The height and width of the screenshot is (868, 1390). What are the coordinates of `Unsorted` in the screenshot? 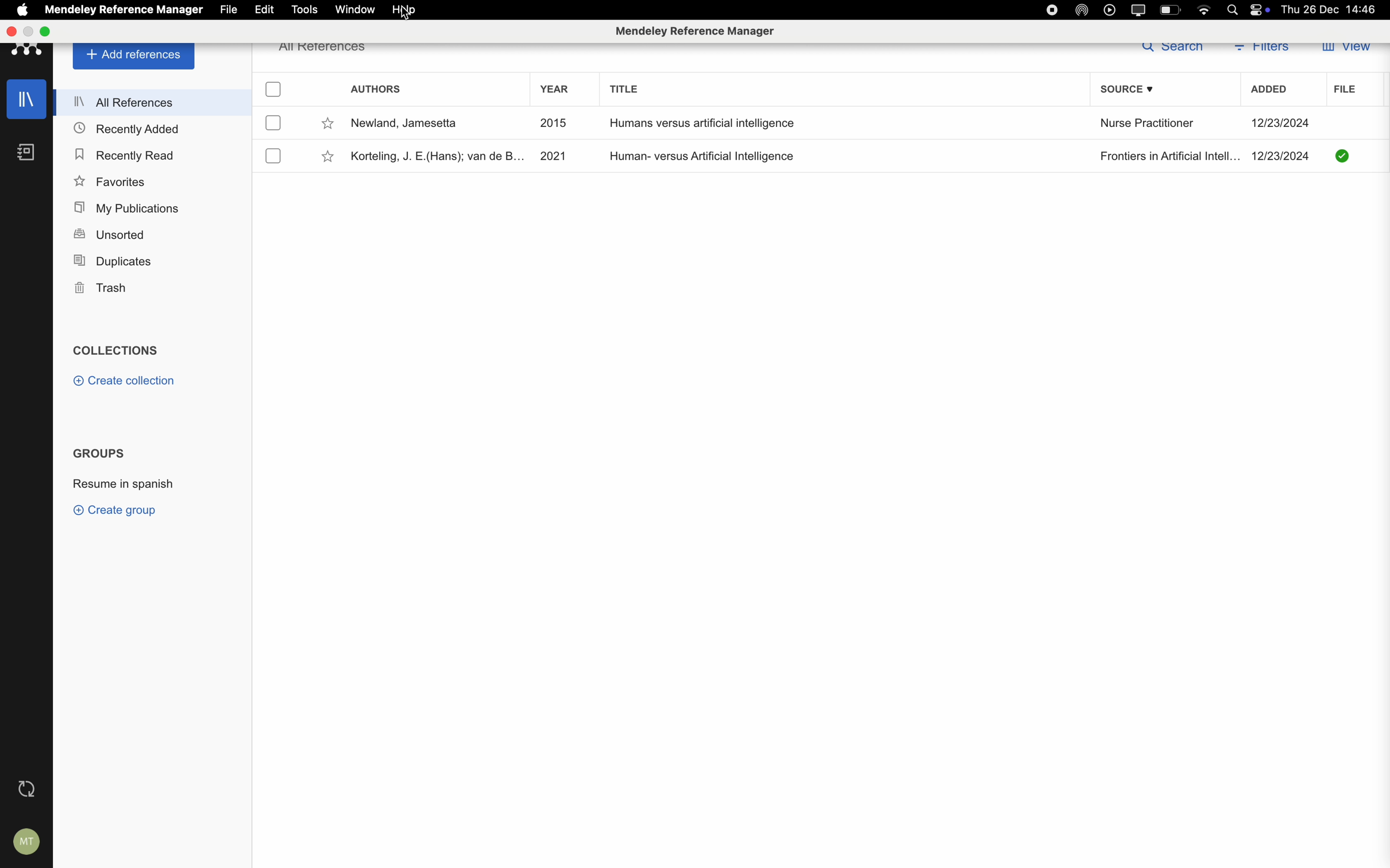 It's located at (110, 235).